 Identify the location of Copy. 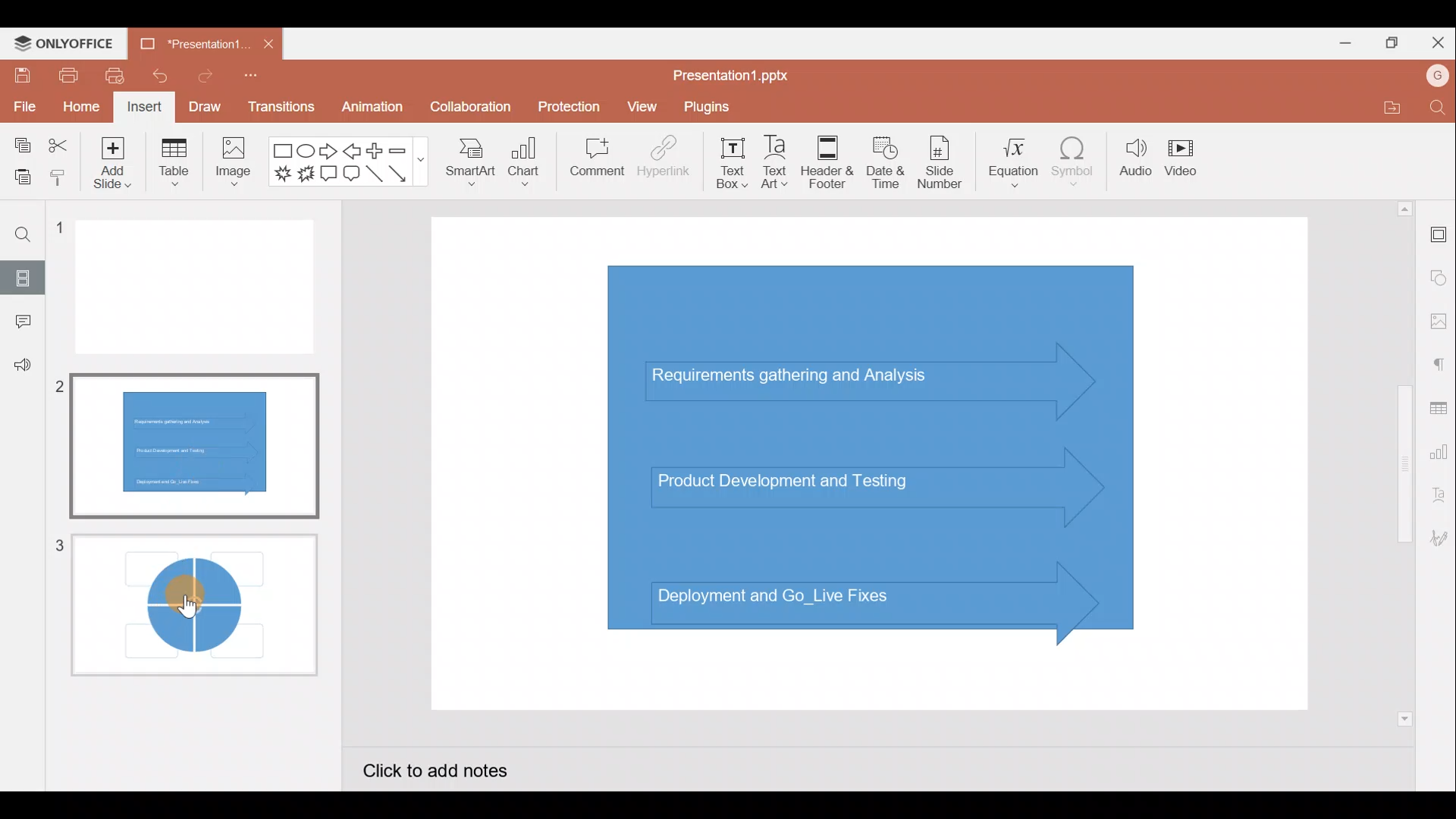
(22, 141).